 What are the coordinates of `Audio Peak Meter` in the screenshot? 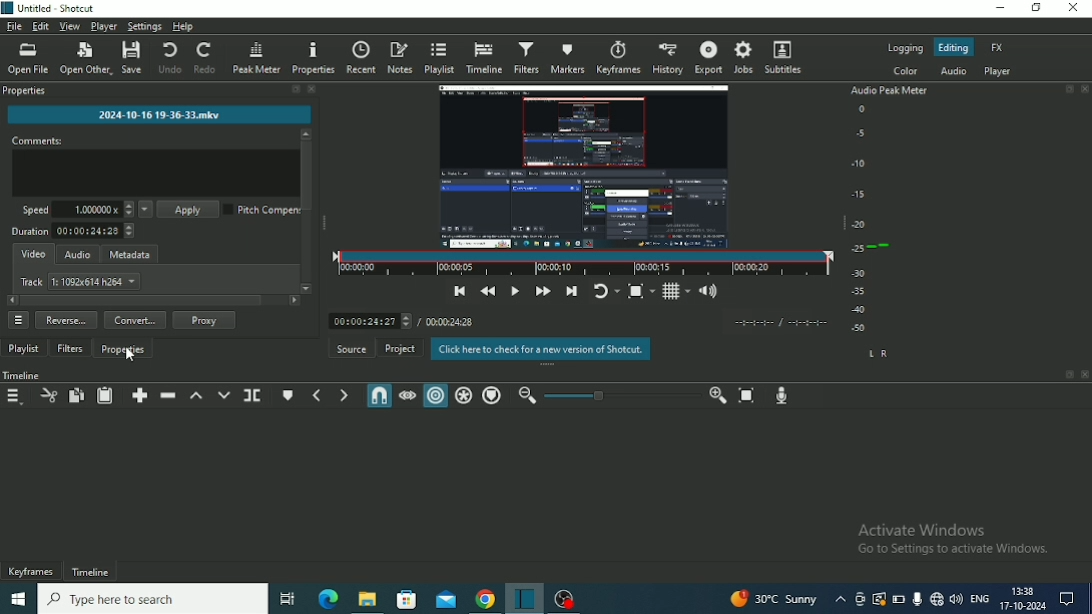 It's located at (891, 221).